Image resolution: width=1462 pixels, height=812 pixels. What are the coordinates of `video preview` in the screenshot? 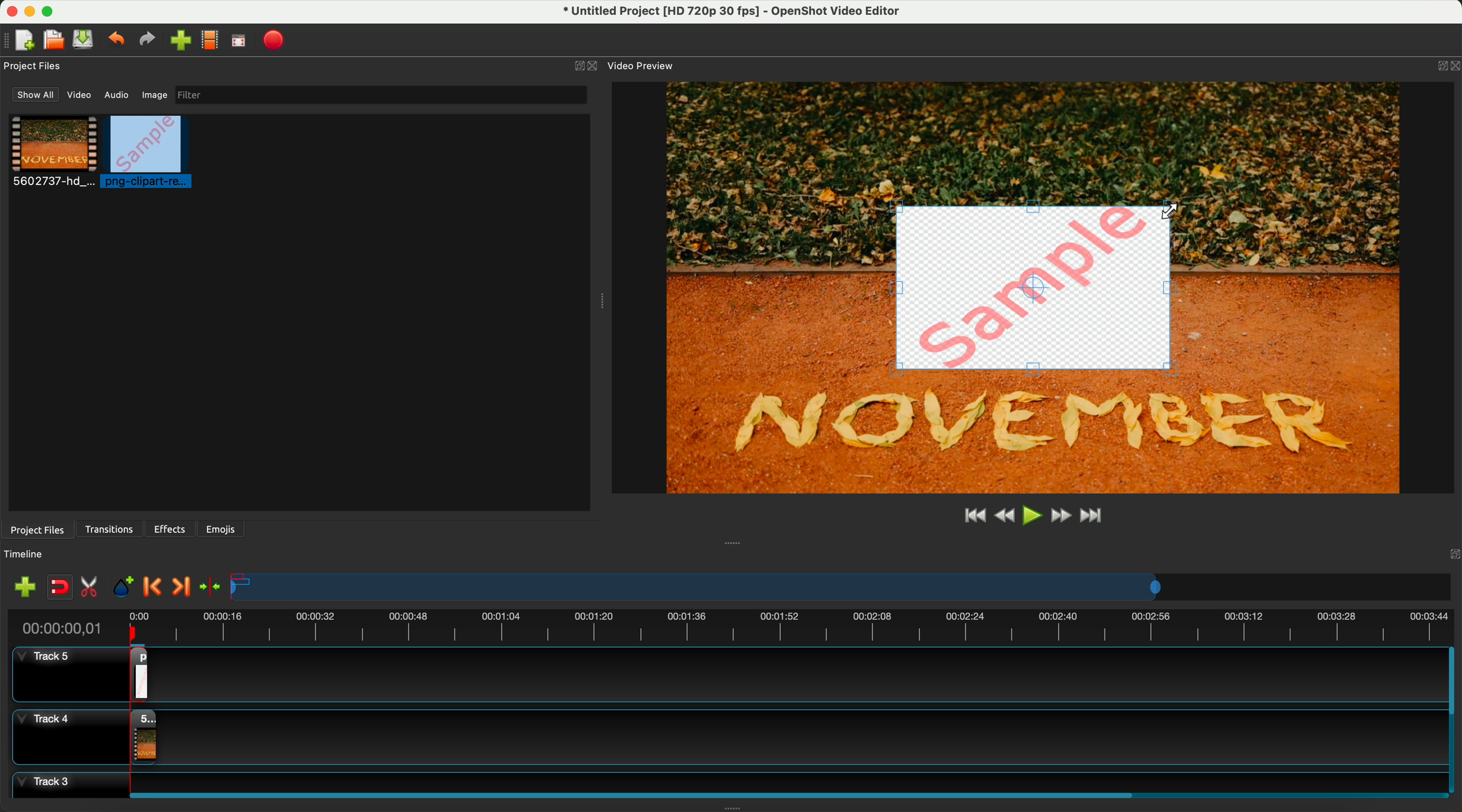 It's located at (640, 66).